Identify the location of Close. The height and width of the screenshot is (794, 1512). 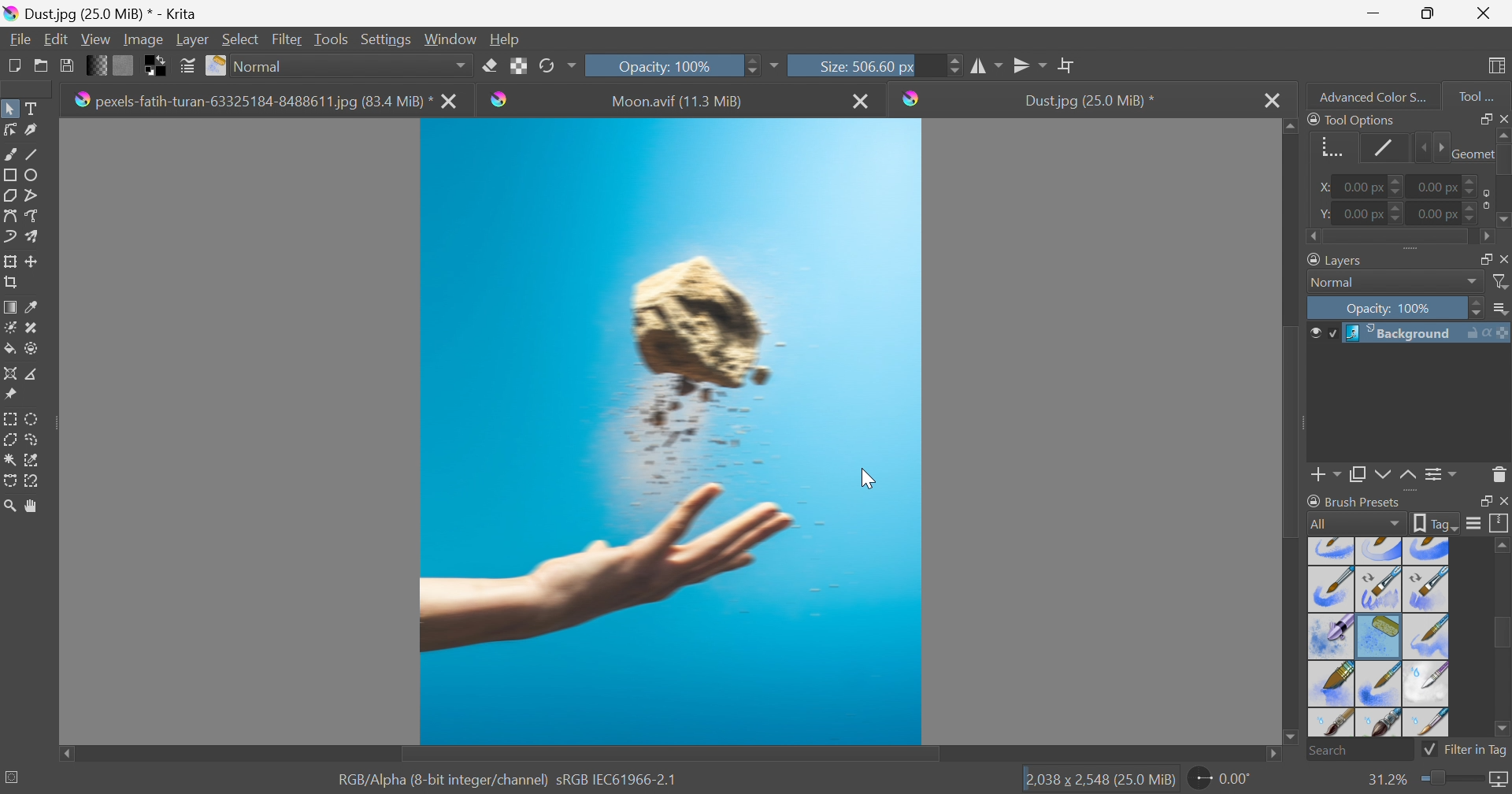
(1503, 117).